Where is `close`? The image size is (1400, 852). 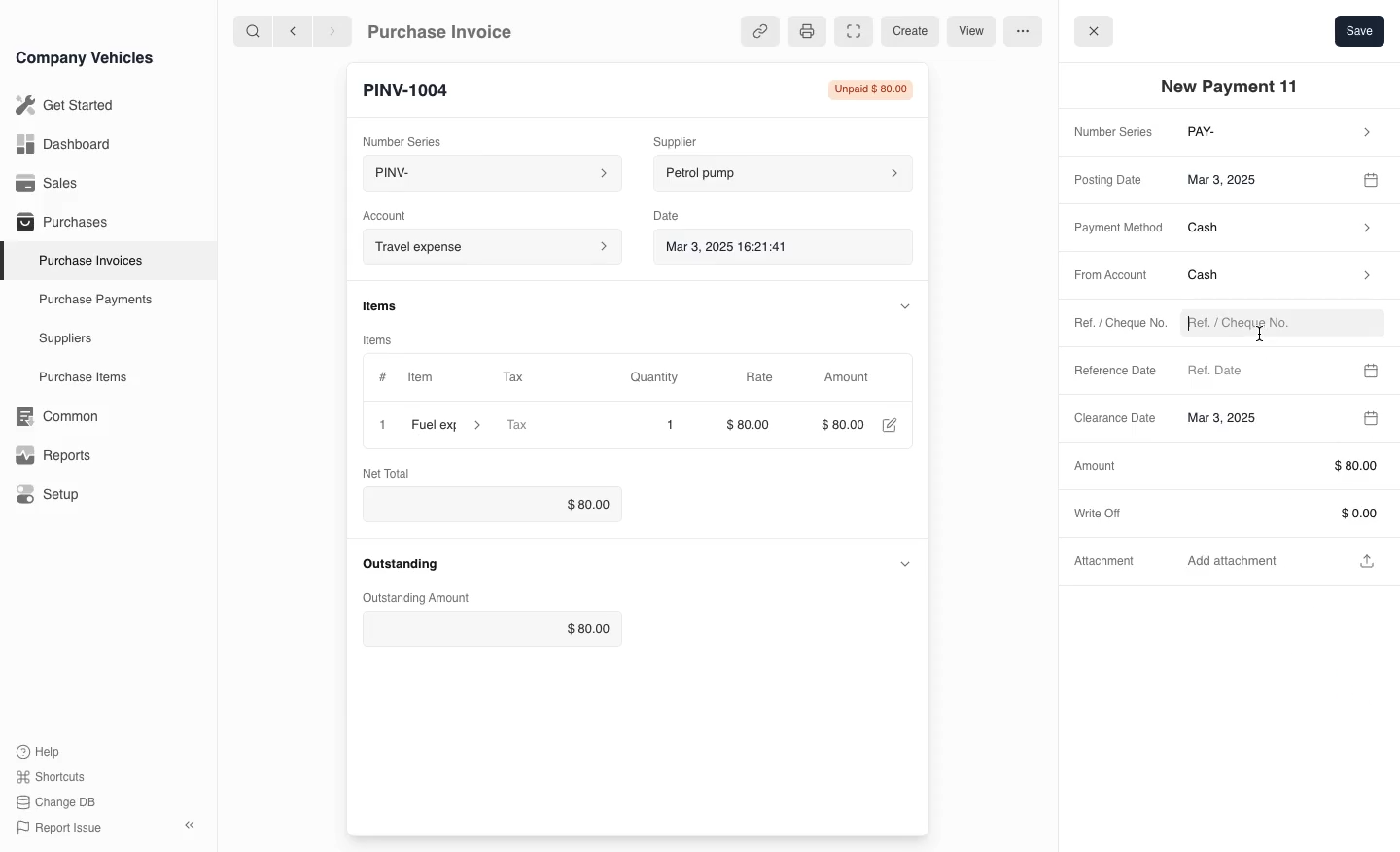 close is located at coordinates (1094, 29).